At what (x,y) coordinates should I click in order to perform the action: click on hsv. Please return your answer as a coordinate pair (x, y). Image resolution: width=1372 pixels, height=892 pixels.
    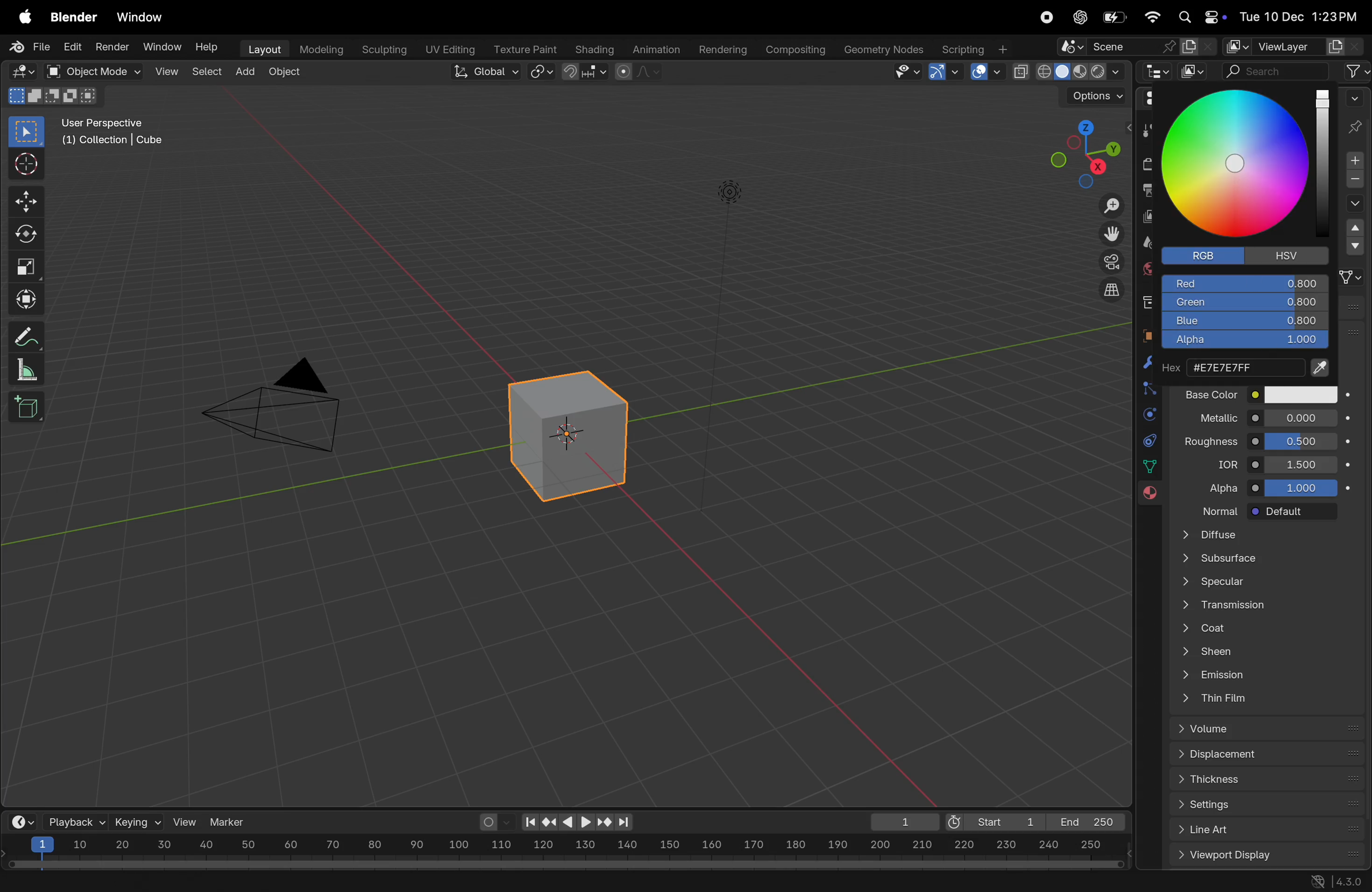
    Looking at the image, I should click on (1294, 255).